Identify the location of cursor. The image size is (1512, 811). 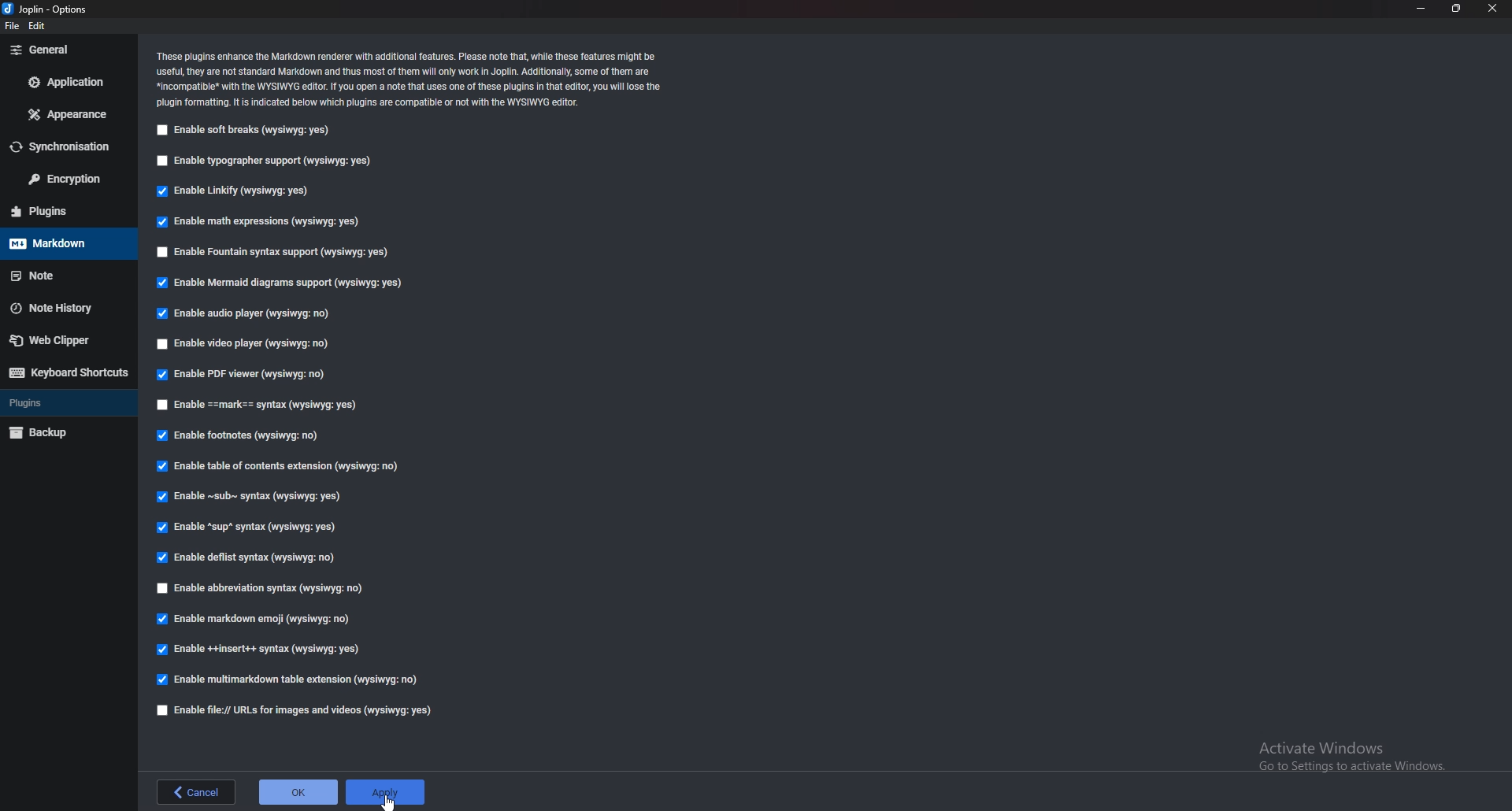
(391, 804).